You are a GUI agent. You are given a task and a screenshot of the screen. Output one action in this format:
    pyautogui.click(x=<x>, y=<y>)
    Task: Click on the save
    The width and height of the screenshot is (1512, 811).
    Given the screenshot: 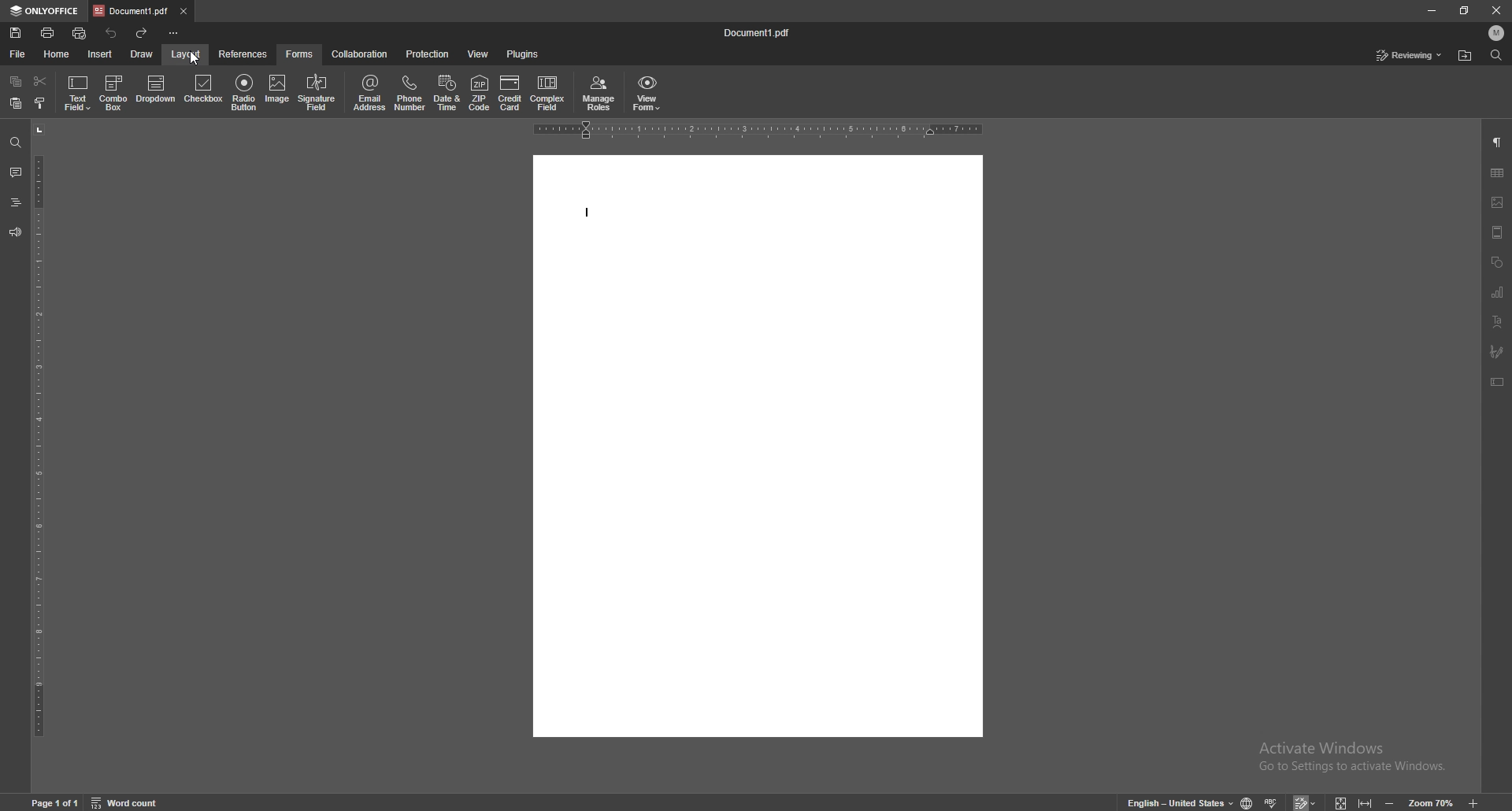 What is the action you would take?
    pyautogui.click(x=16, y=33)
    